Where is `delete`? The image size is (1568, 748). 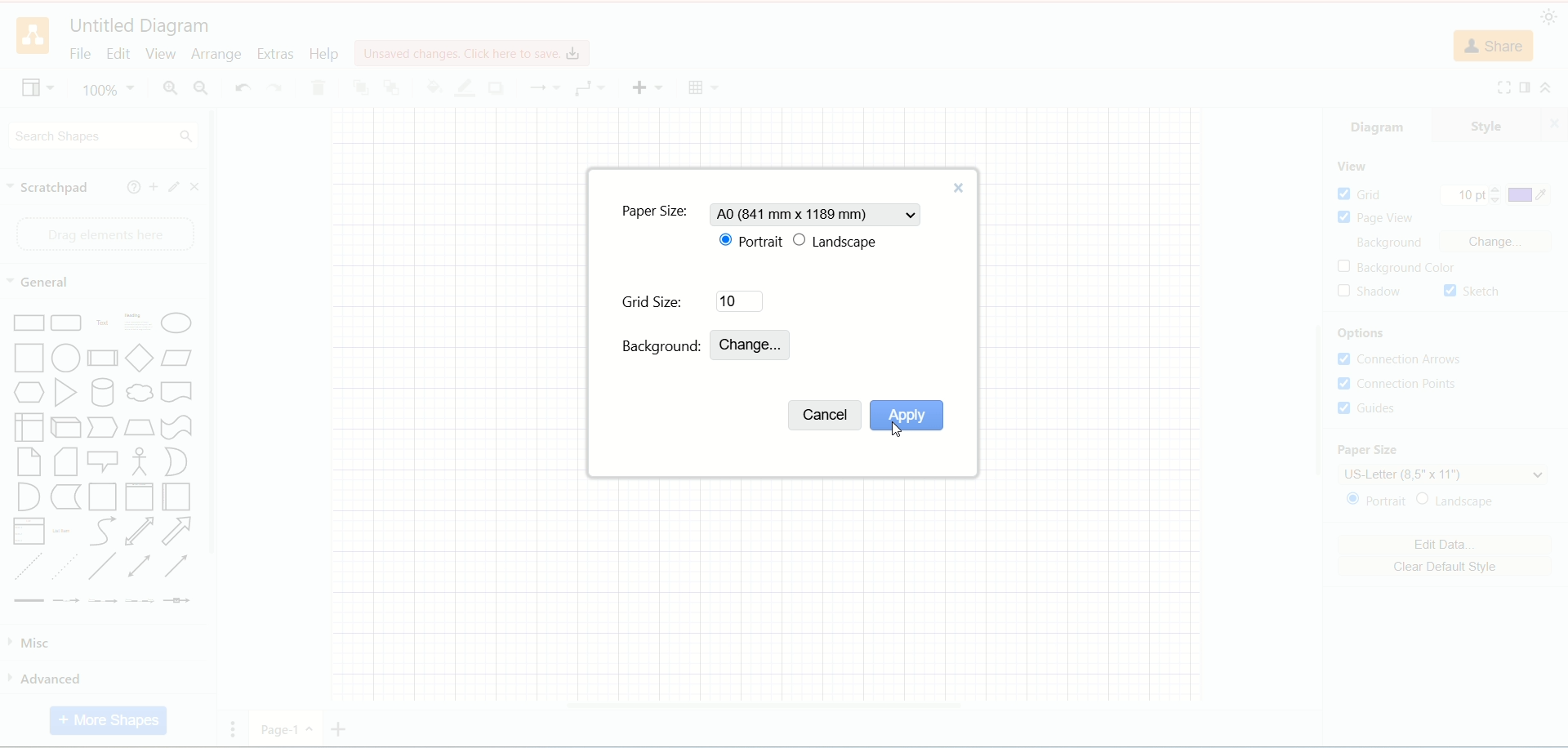 delete is located at coordinates (318, 88).